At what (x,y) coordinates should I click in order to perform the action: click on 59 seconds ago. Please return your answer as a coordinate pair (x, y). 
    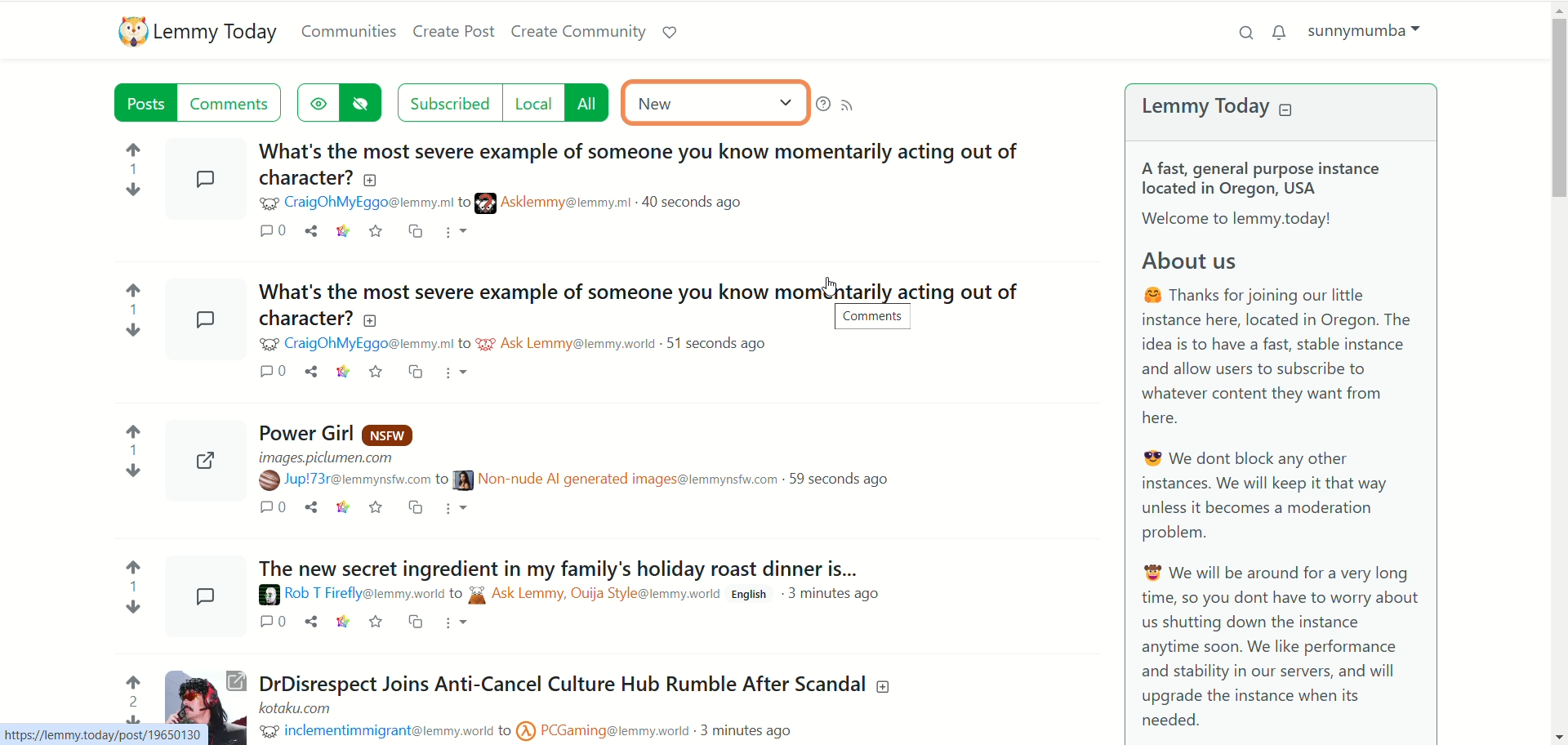
    Looking at the image, I should click on (844, 480).